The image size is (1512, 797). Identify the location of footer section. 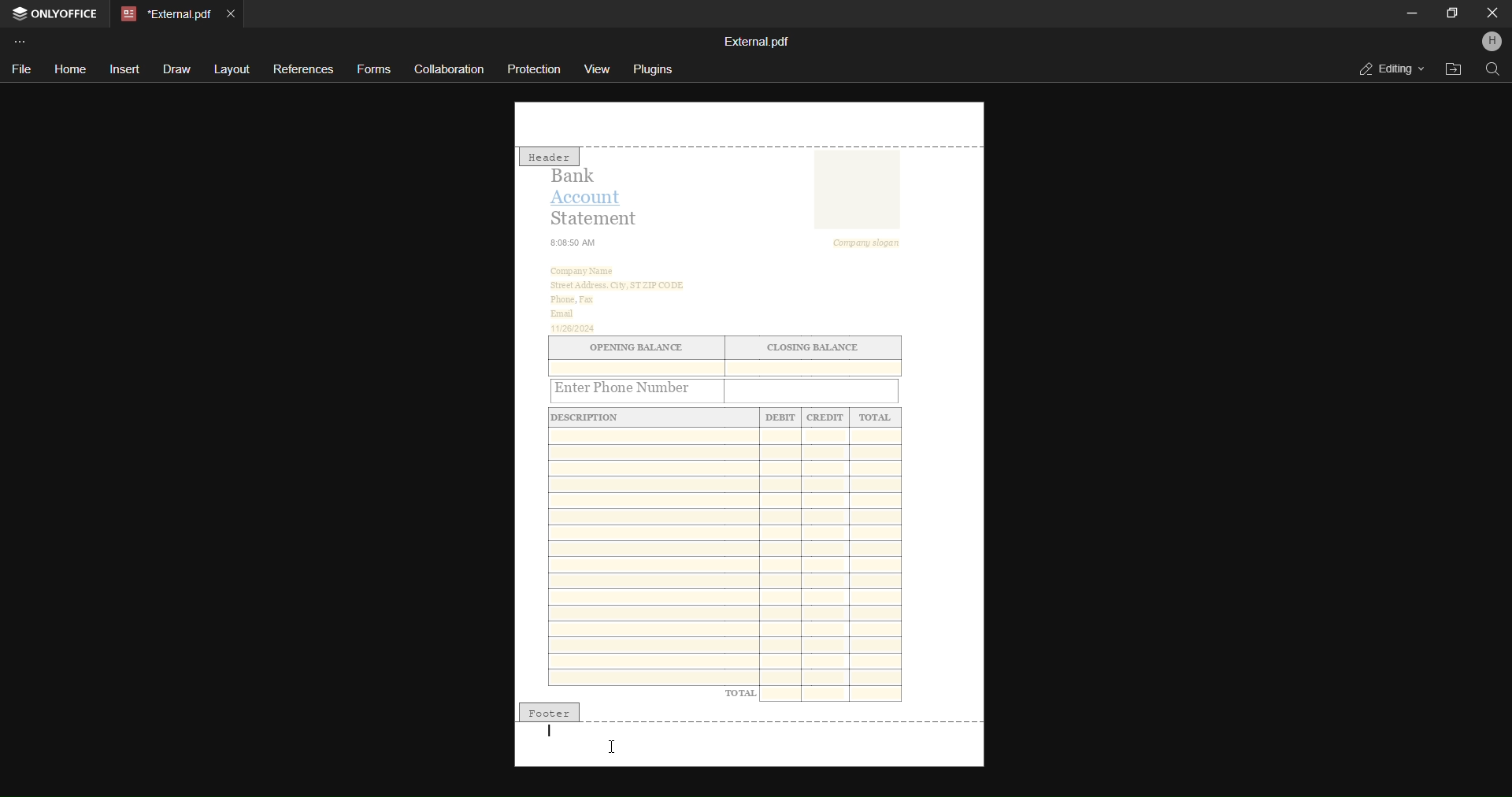
(750, 745).